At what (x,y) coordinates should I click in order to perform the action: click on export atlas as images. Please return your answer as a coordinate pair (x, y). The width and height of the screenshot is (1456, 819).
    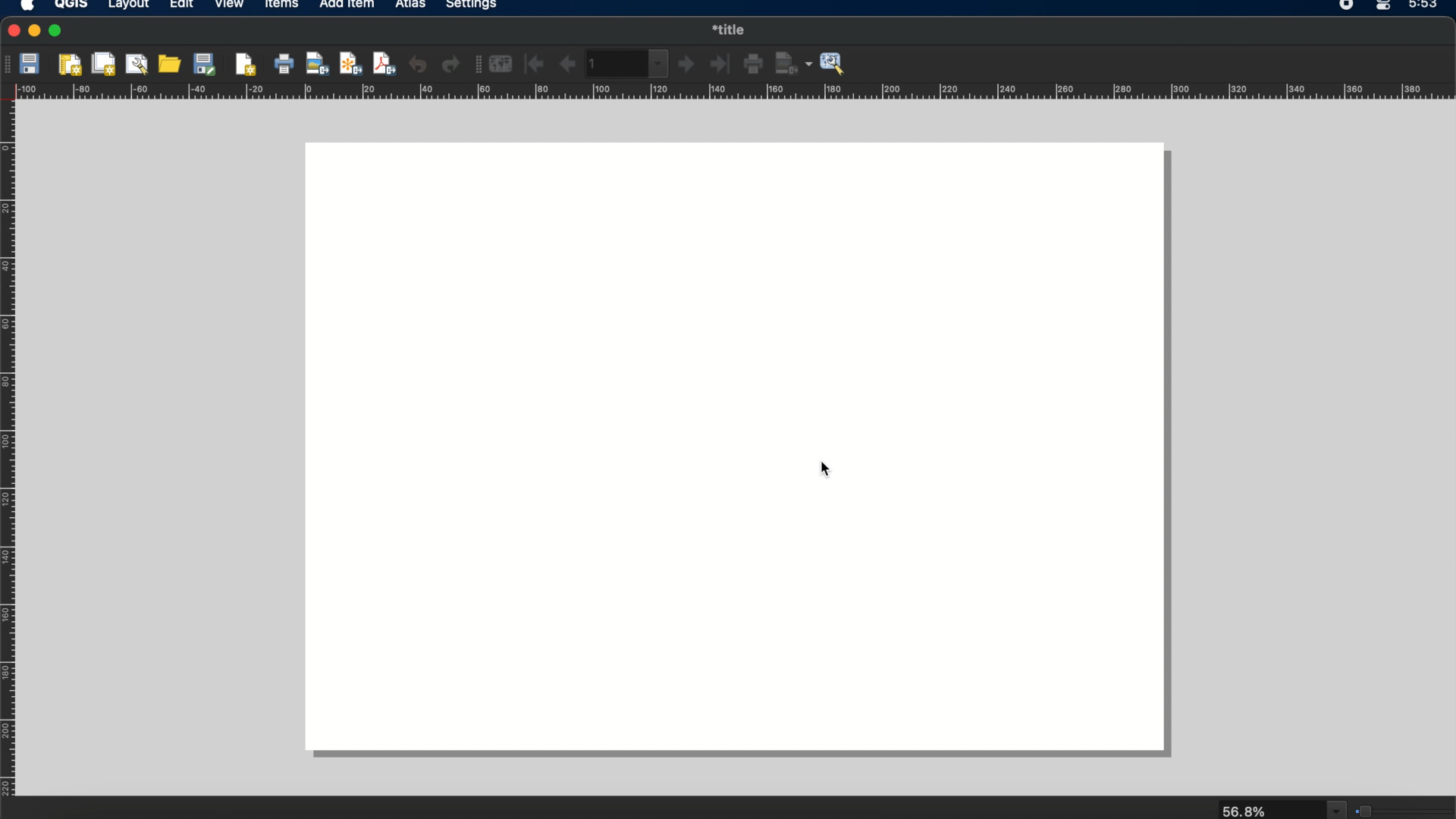
    Looking at the image, I should click on (791, 63).